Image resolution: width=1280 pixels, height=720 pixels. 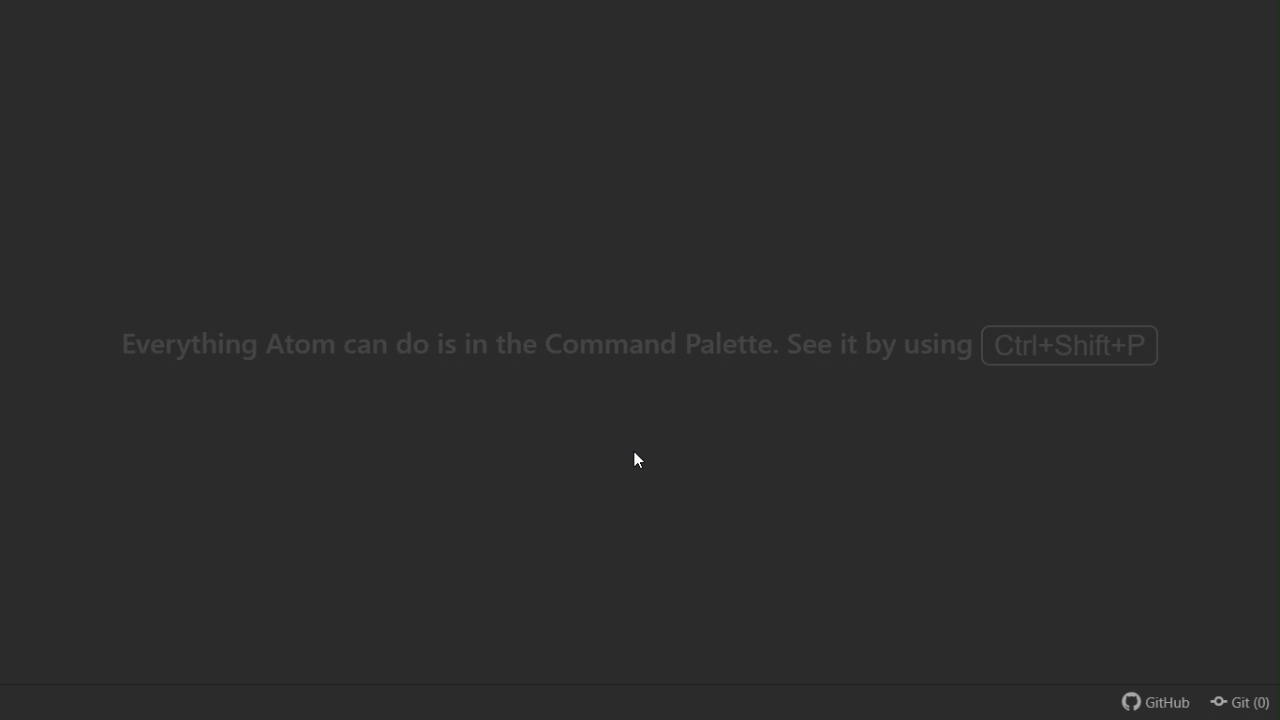 What do you see at coordinates (1160, 700) in the screenshot?
I see `github` at bounding box center [1160, 700].